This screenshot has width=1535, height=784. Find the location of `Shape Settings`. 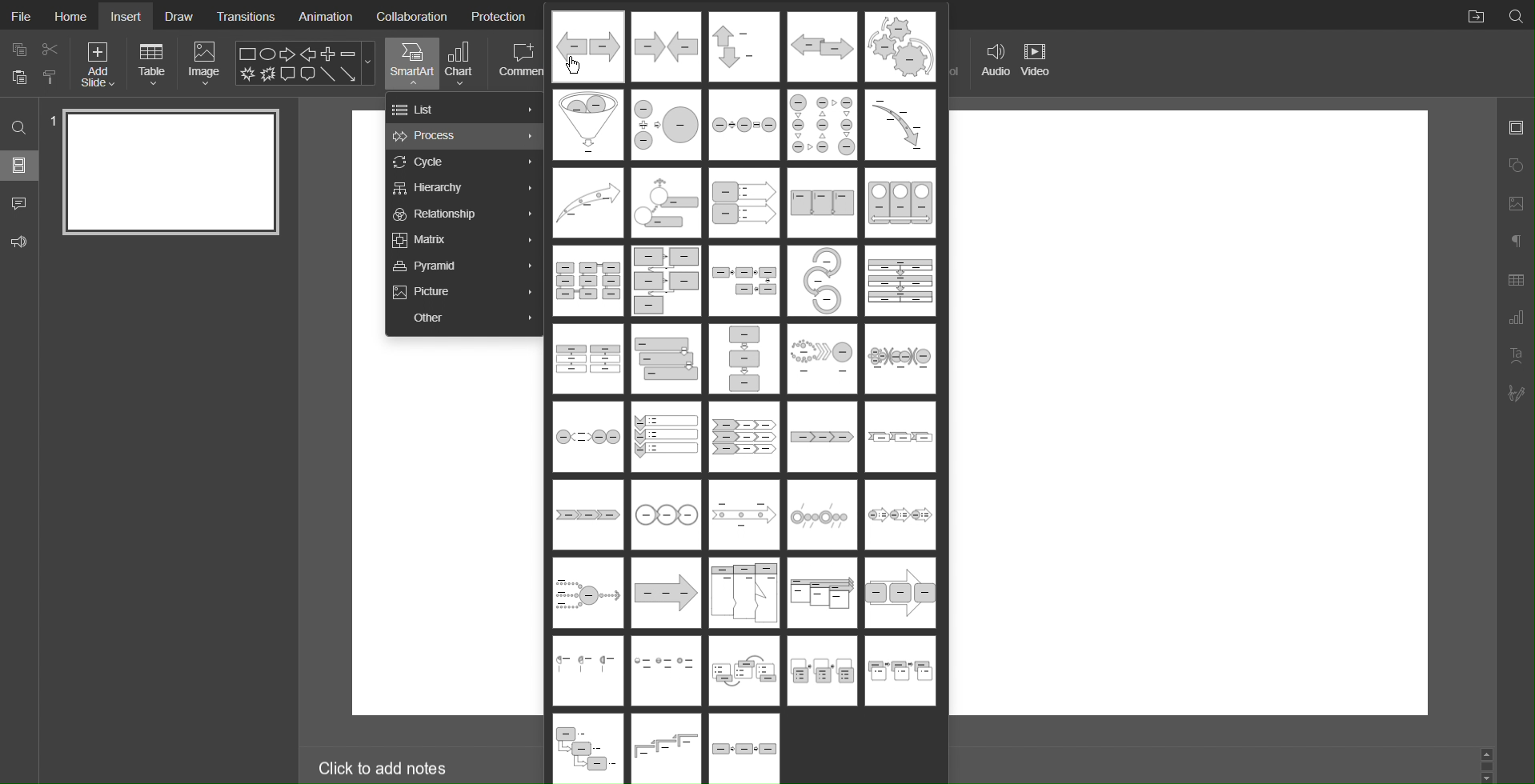

Shape Settings is located at coordinates (1515, 166).